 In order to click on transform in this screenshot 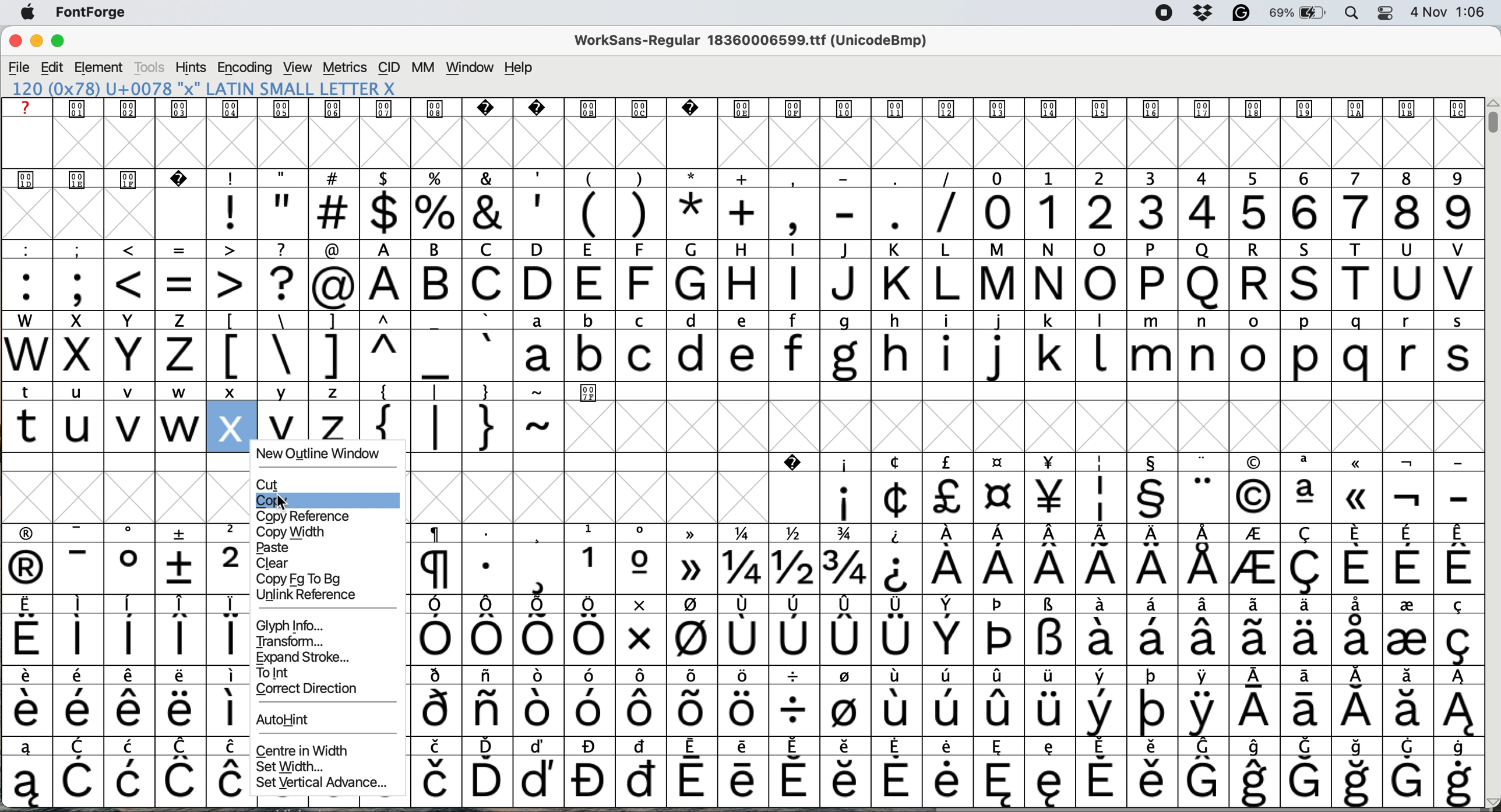, I will do `click(290, 640)`.